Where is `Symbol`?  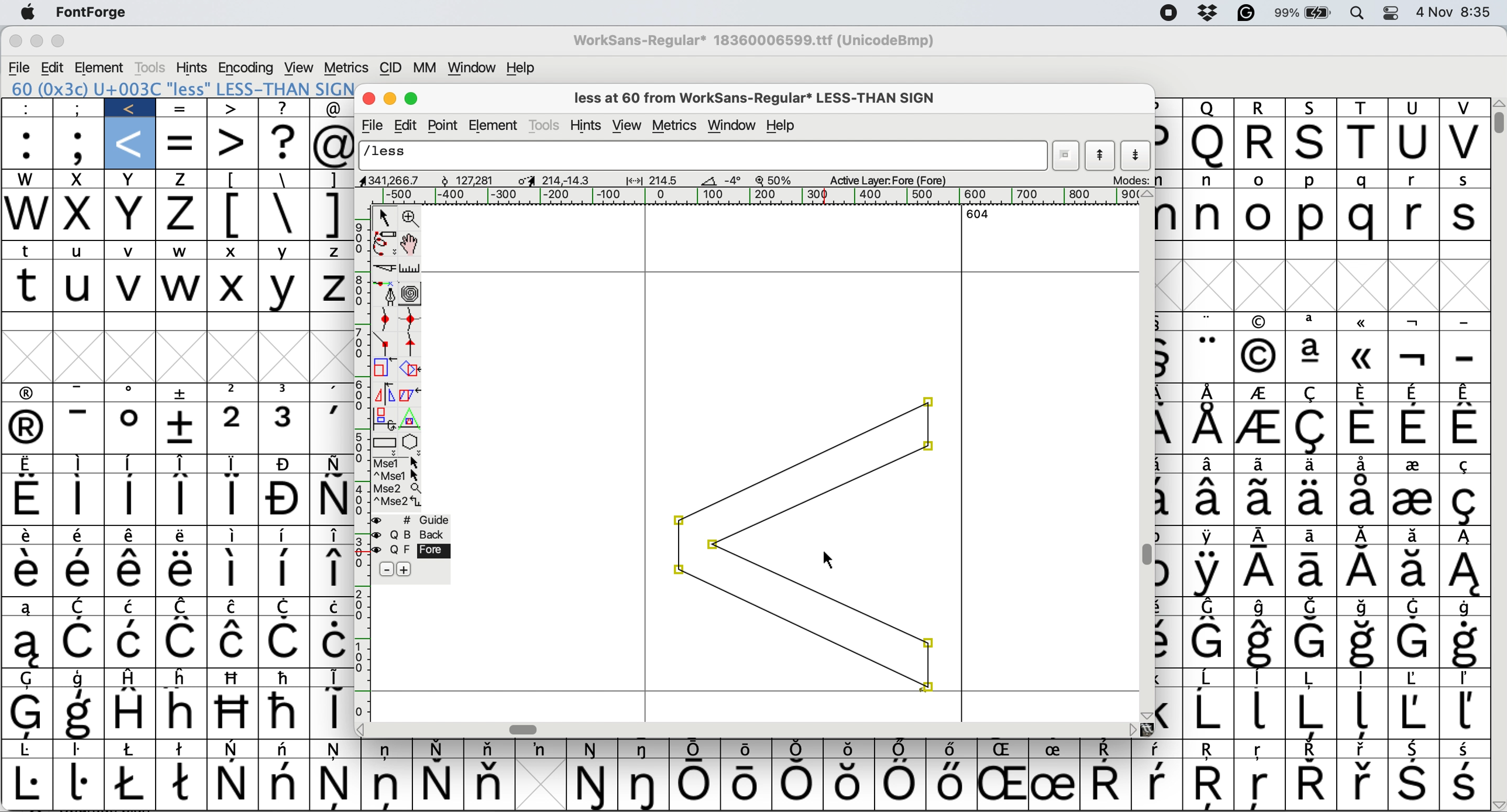
Symbol is located at coordinates (1260, 787).